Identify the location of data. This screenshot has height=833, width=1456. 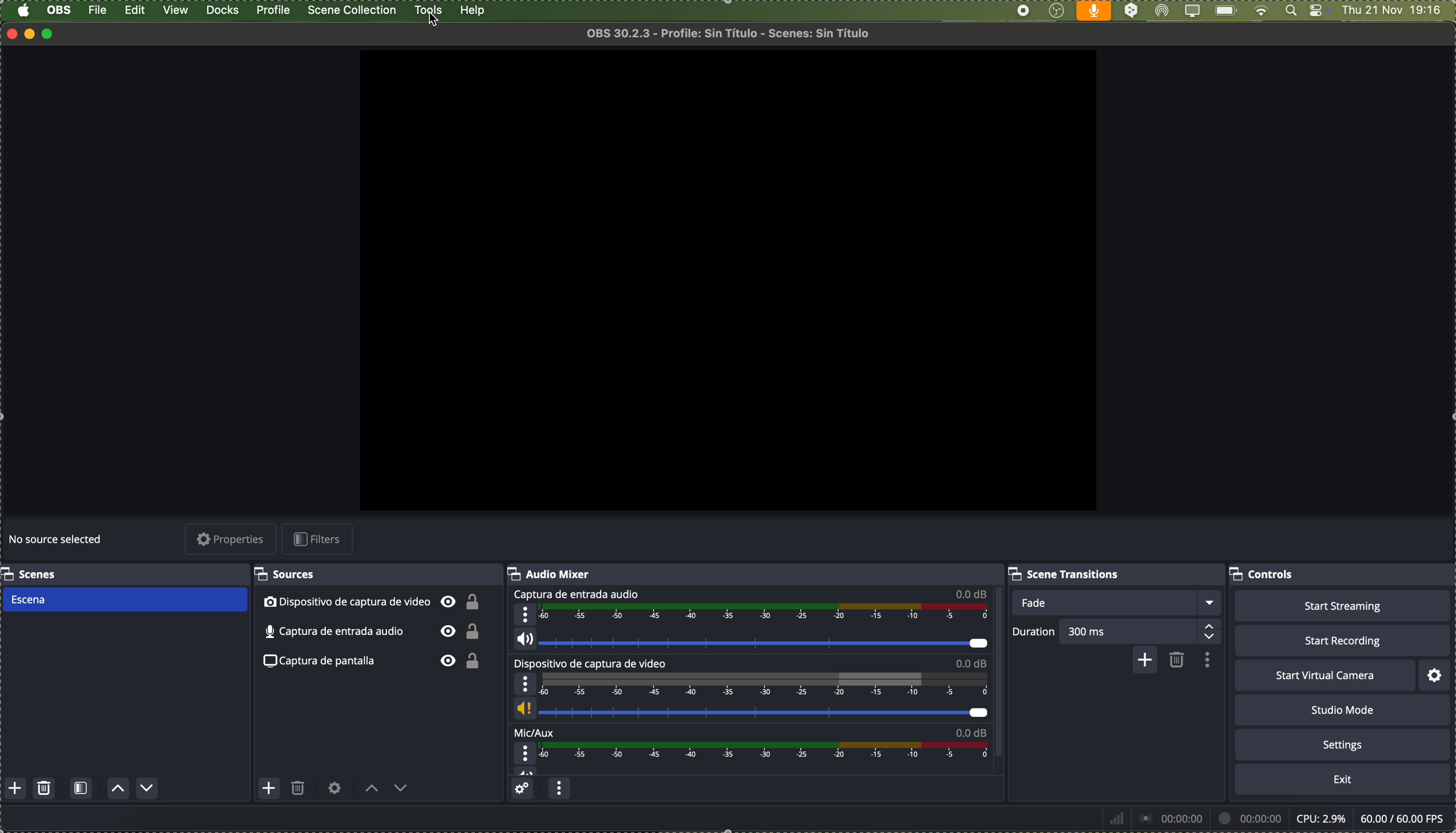
(1275, 818).